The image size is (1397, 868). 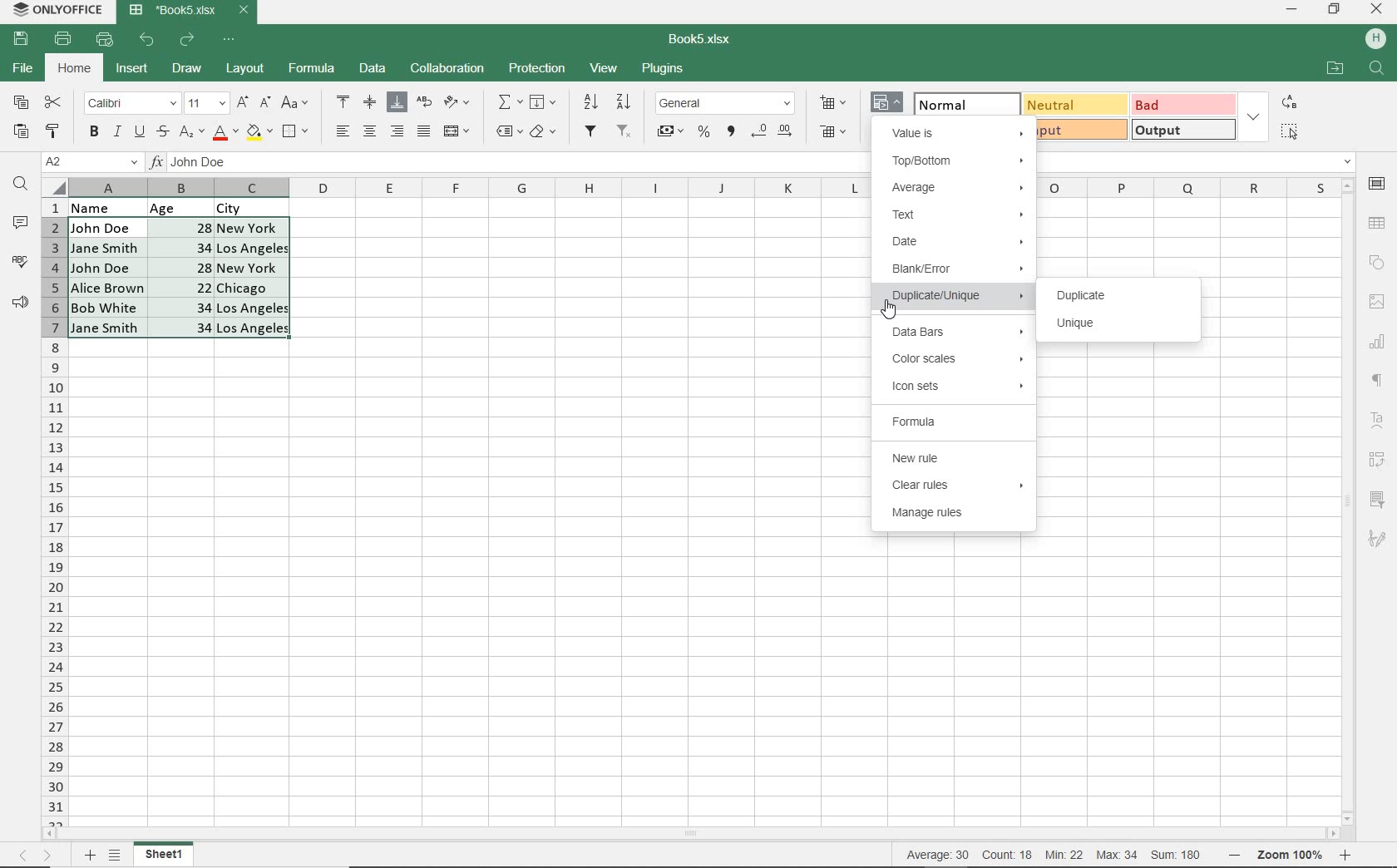 What do you see at coordinates (958, 162) in the screenshot?
I see `TOP/BOTTOM` at bounding box center [958, 162].